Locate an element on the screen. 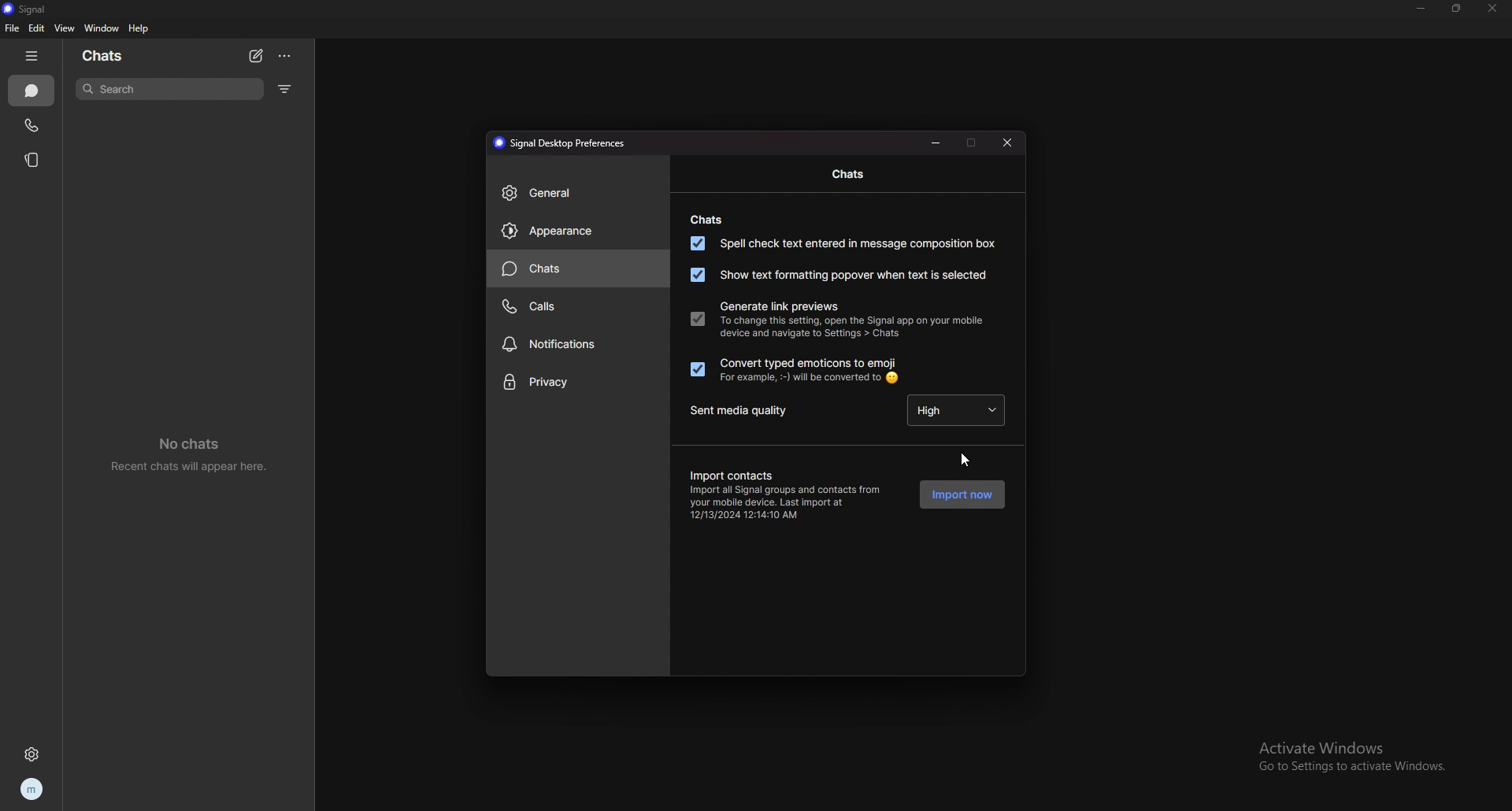 The height and width of the screenshot is (811, 1512). import contacts is located at coordinates (730, 473).